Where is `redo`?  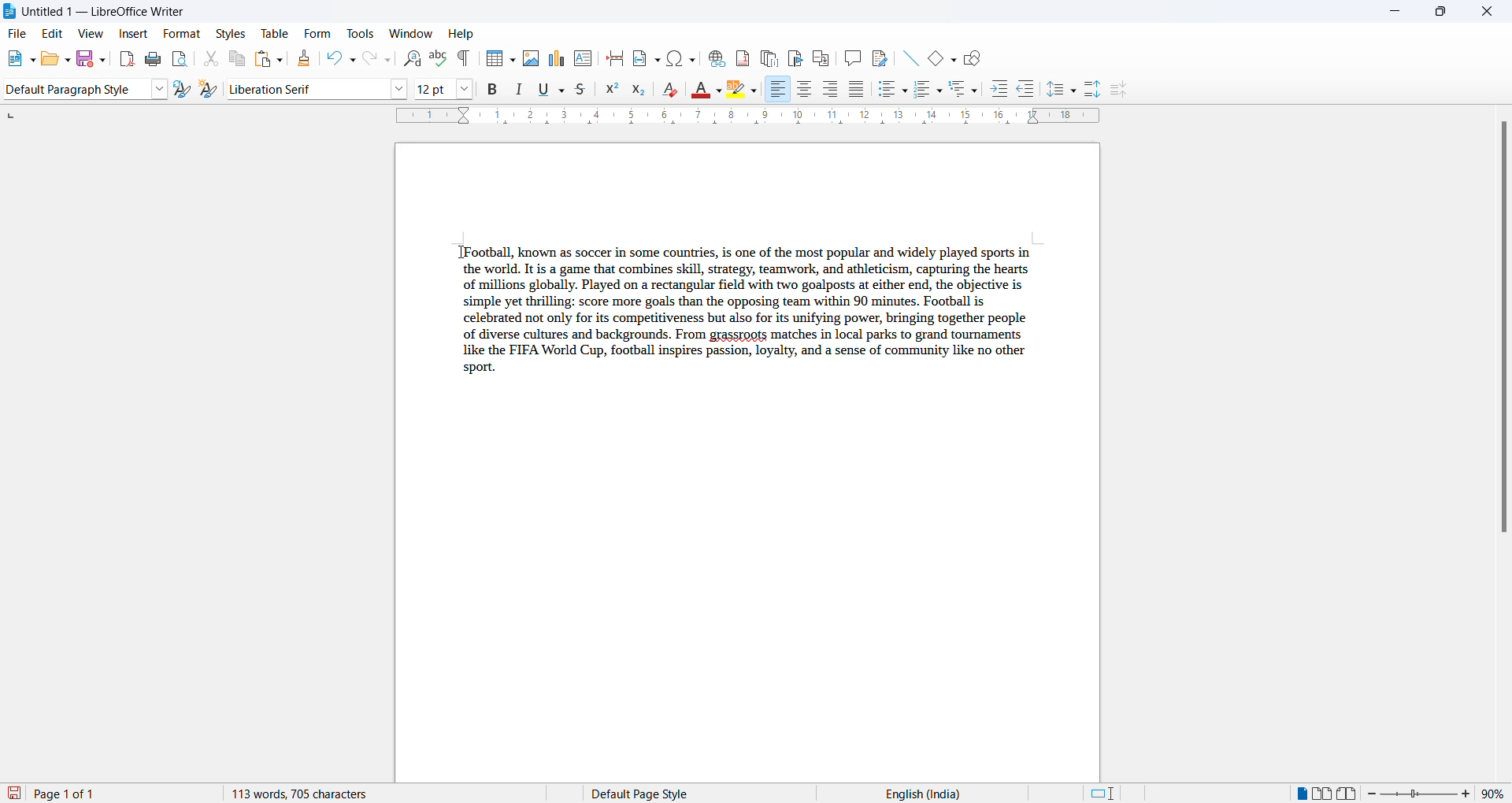 redo is located at coordinates (379, 59).